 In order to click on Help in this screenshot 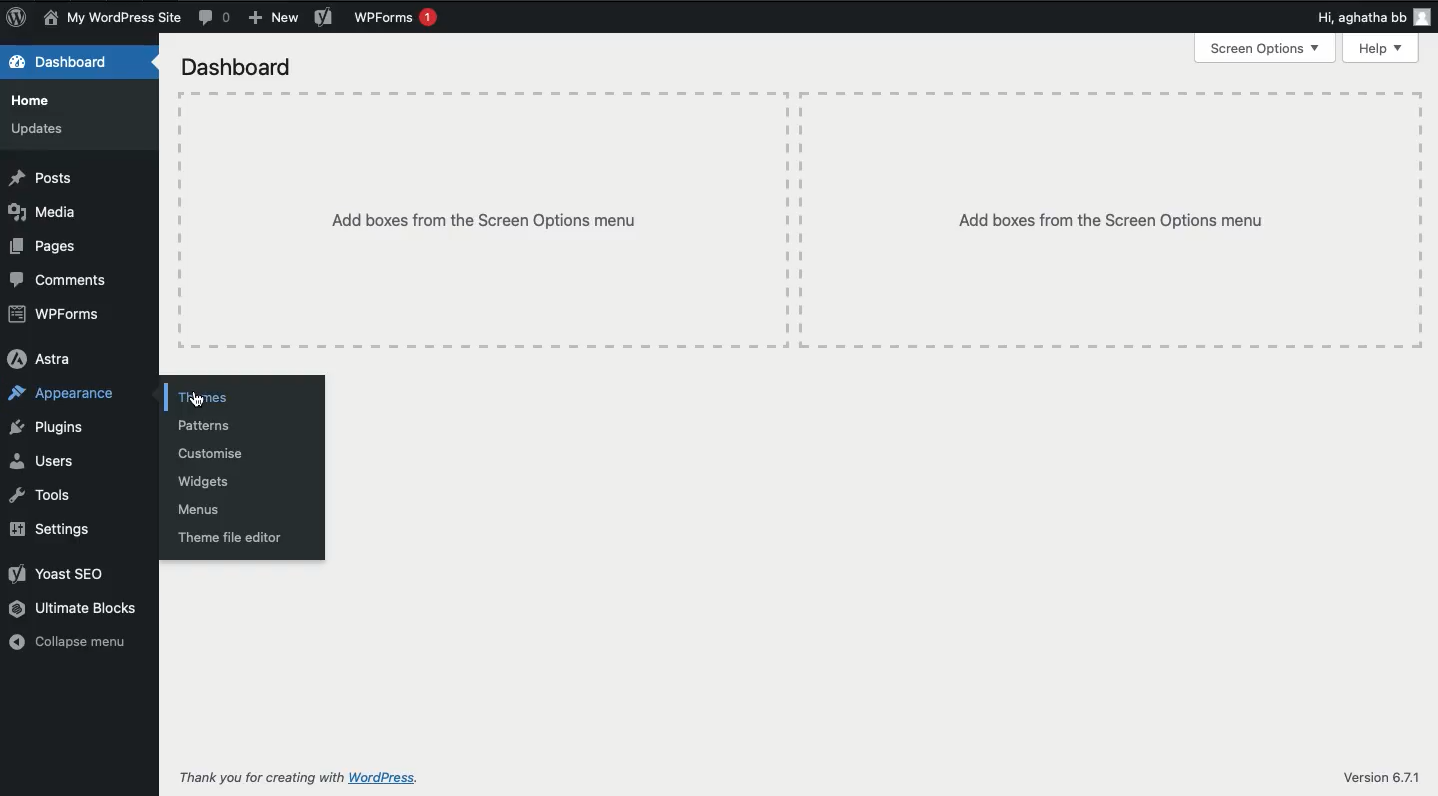, I will do `click(1380, 49)`.